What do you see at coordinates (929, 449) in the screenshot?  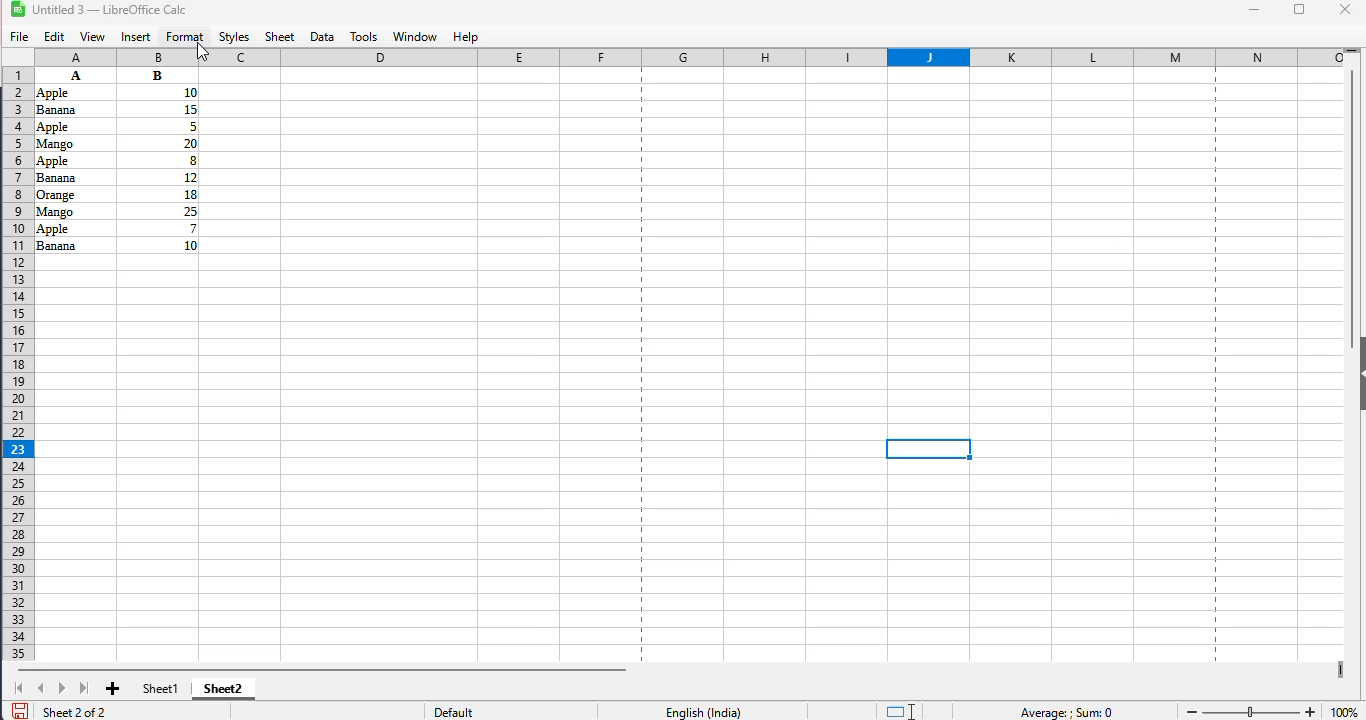 I see `active cell` at bounding box center [929, 449].